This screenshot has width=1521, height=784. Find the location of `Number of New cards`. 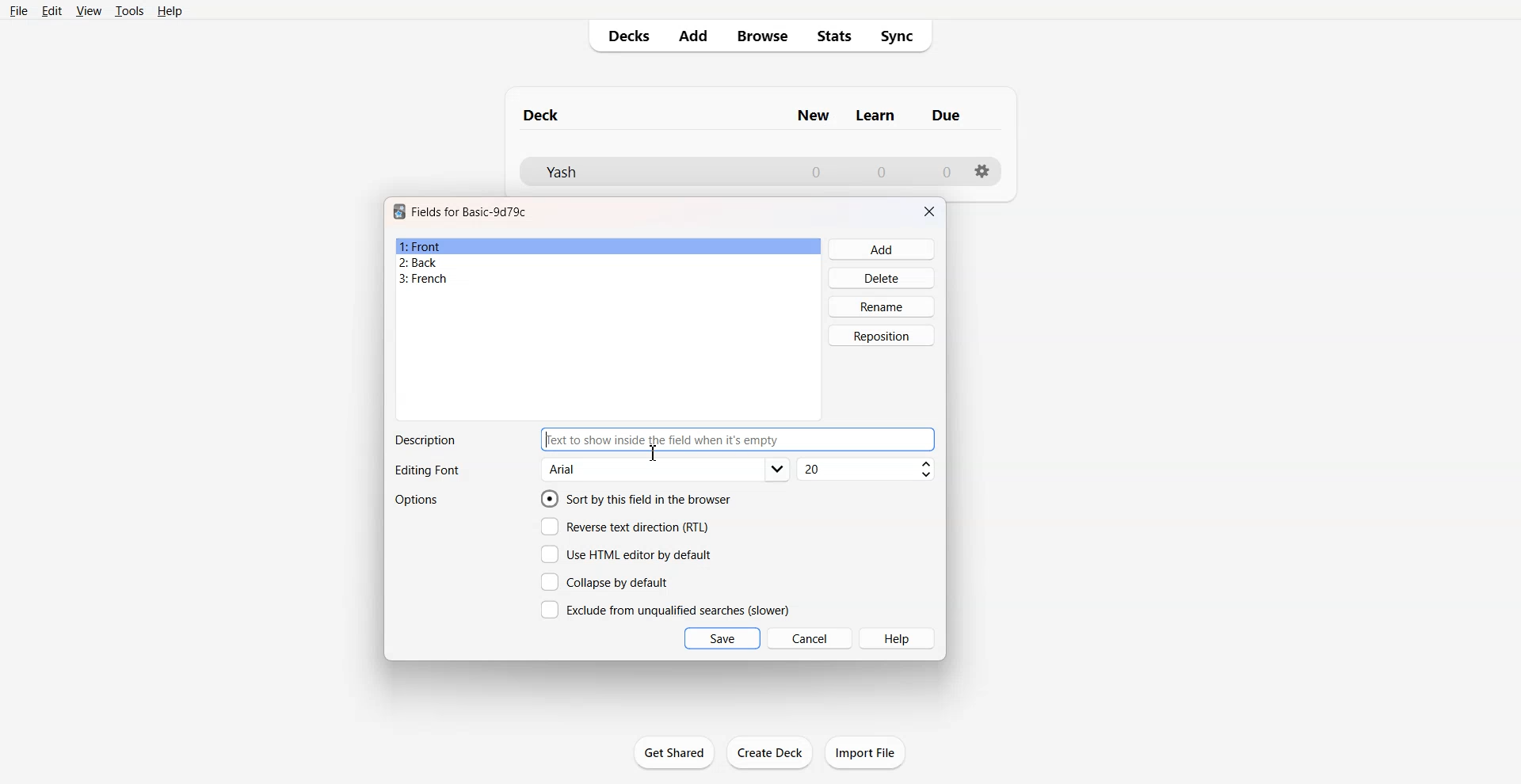

Number of New cards is located at coordinates (816, 172).